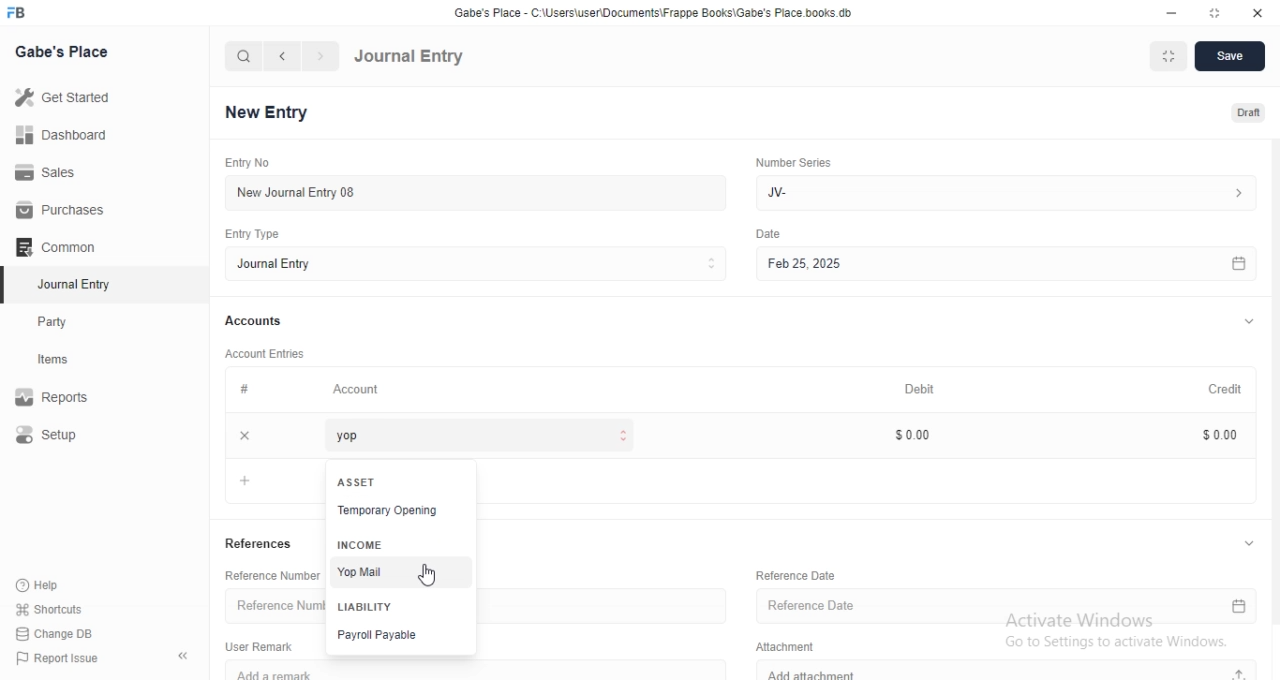 Image resolution: width=1280 pixels, height=680 pixels. Describe the element at coordinates (1170, 56) in the screenshot. I see `Fit to Window` at that location.